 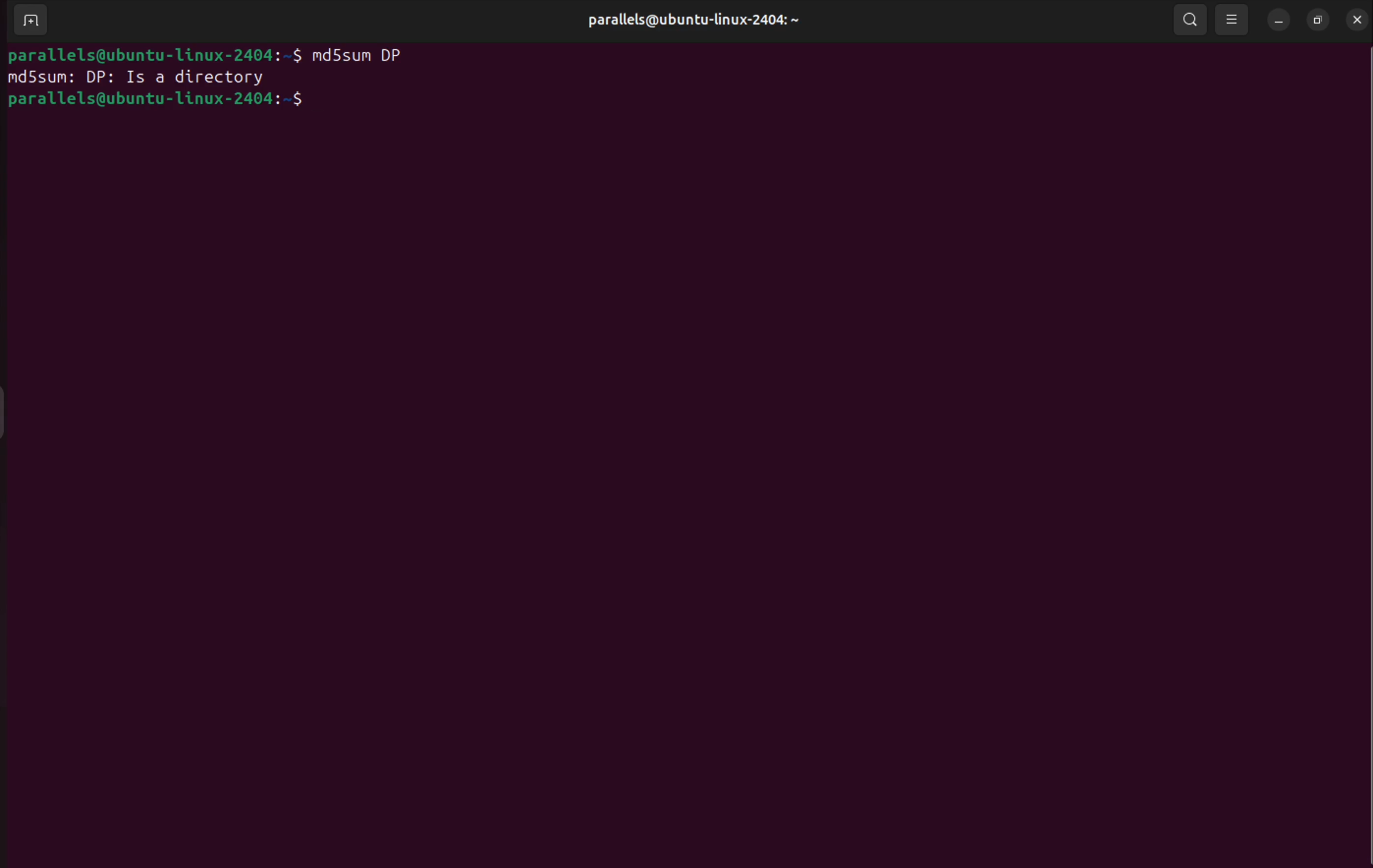 What do you see at coordinates (180, 78) in the screenshot?
I see `DP is directory` at bounding box center [180, 78].